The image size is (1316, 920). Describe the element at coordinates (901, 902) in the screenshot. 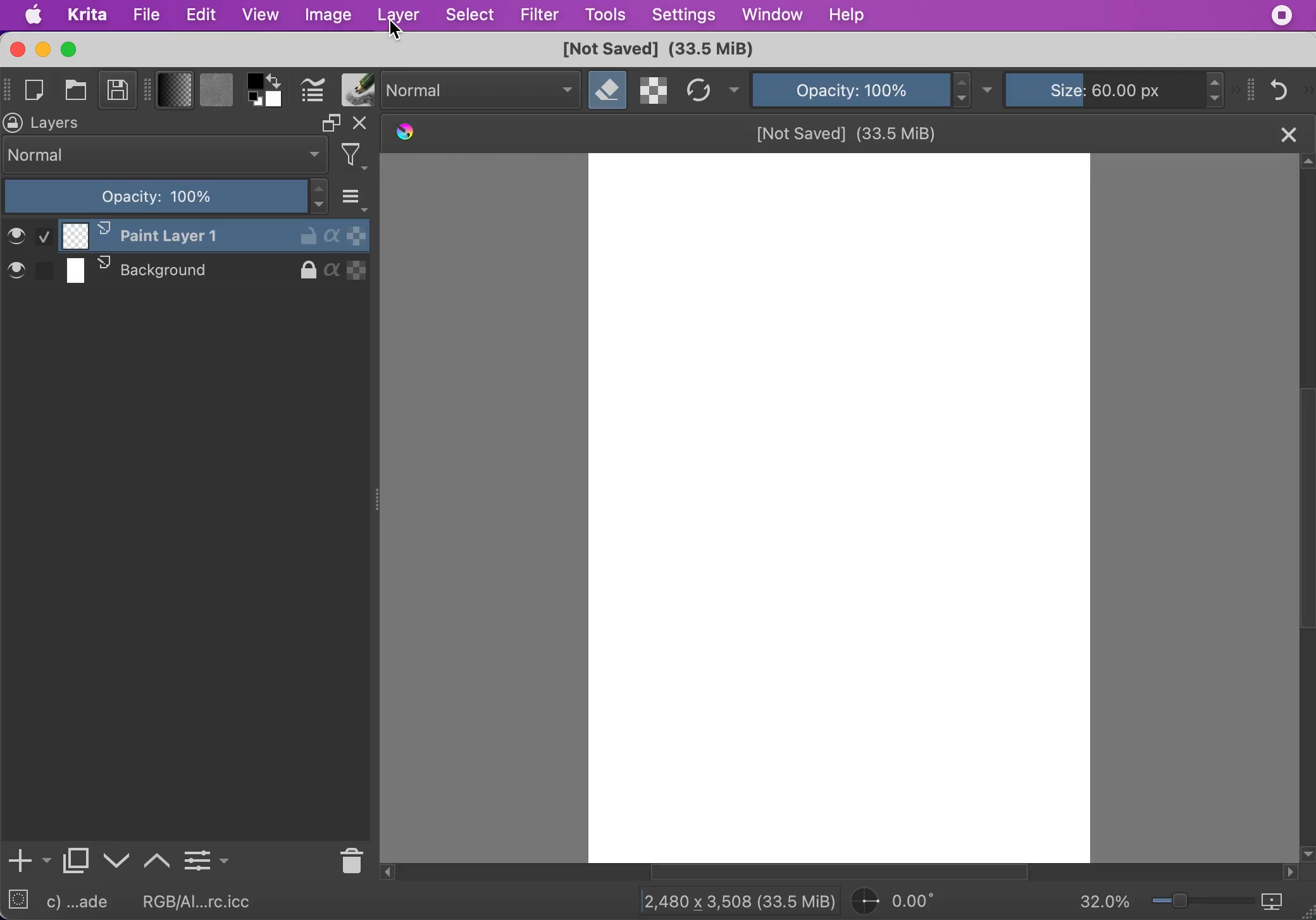

I see `rotation` at that location.